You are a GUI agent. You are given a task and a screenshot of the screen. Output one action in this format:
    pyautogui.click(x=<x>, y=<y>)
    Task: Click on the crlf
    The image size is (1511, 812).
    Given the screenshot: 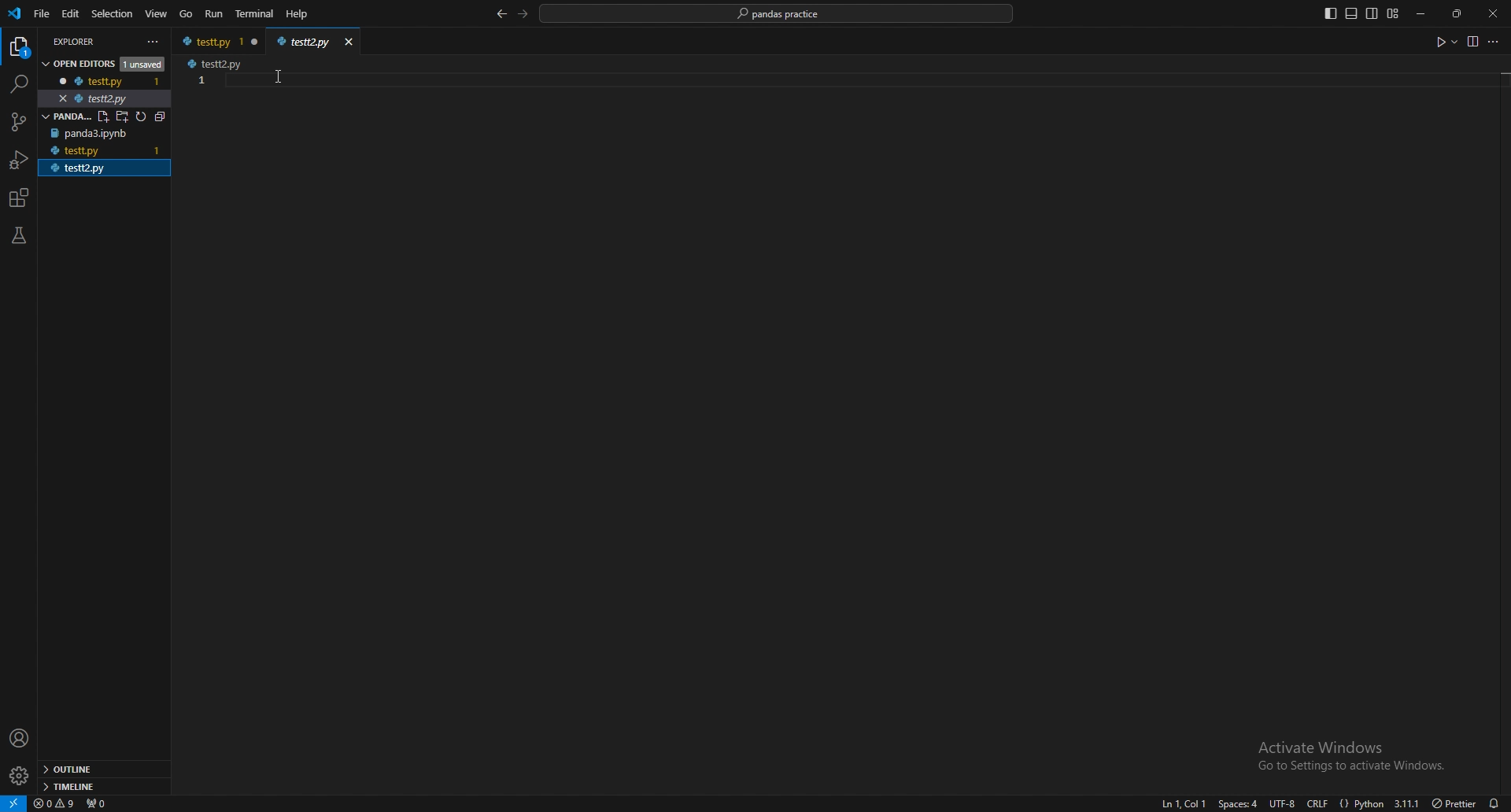 What is the action you would take?
    pyautogui.click(x=1319, y=803)
    